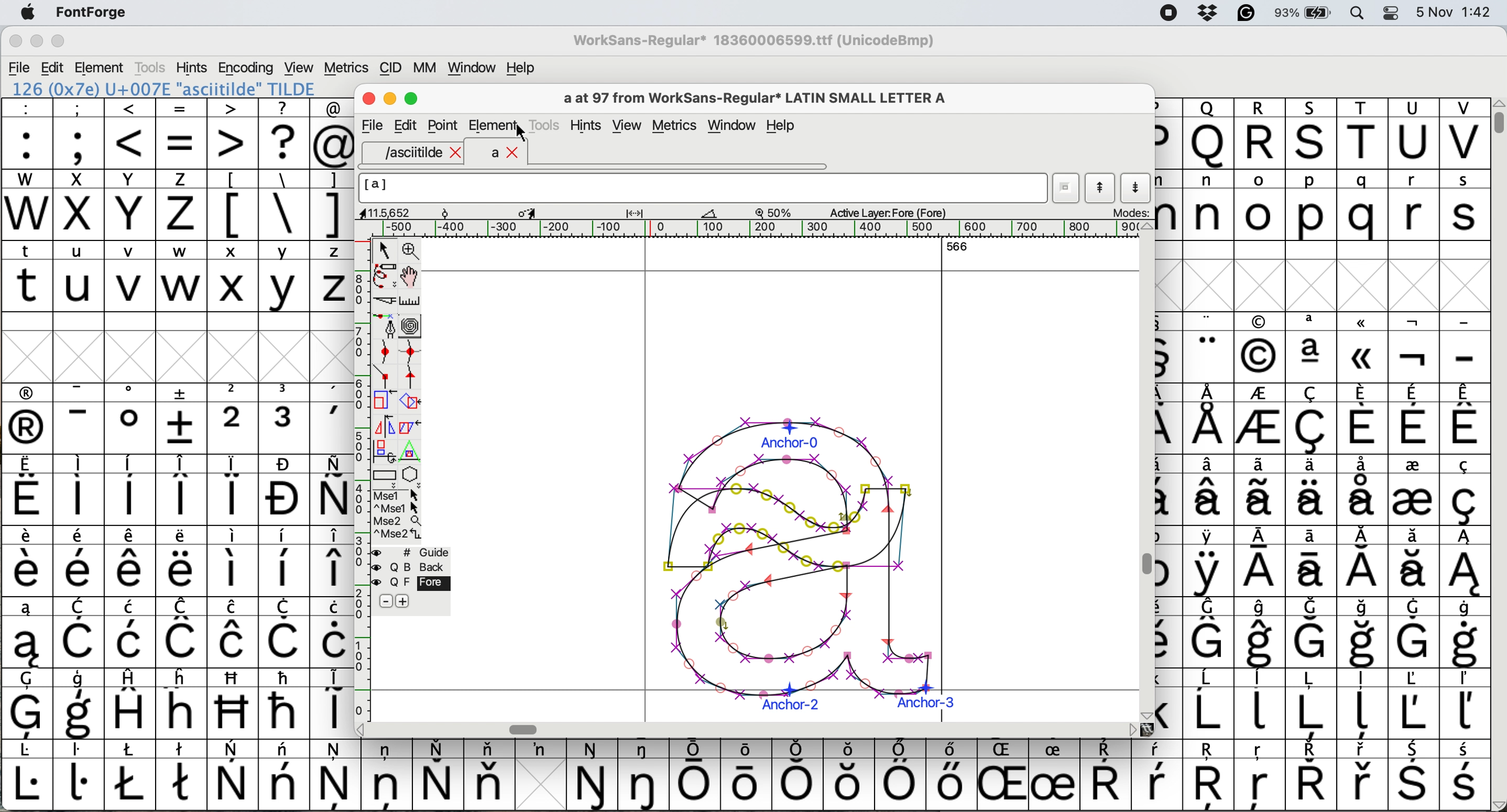  Describe the element at coordinates (1211, 490) in the screenshot. I see `symbol` at that location.